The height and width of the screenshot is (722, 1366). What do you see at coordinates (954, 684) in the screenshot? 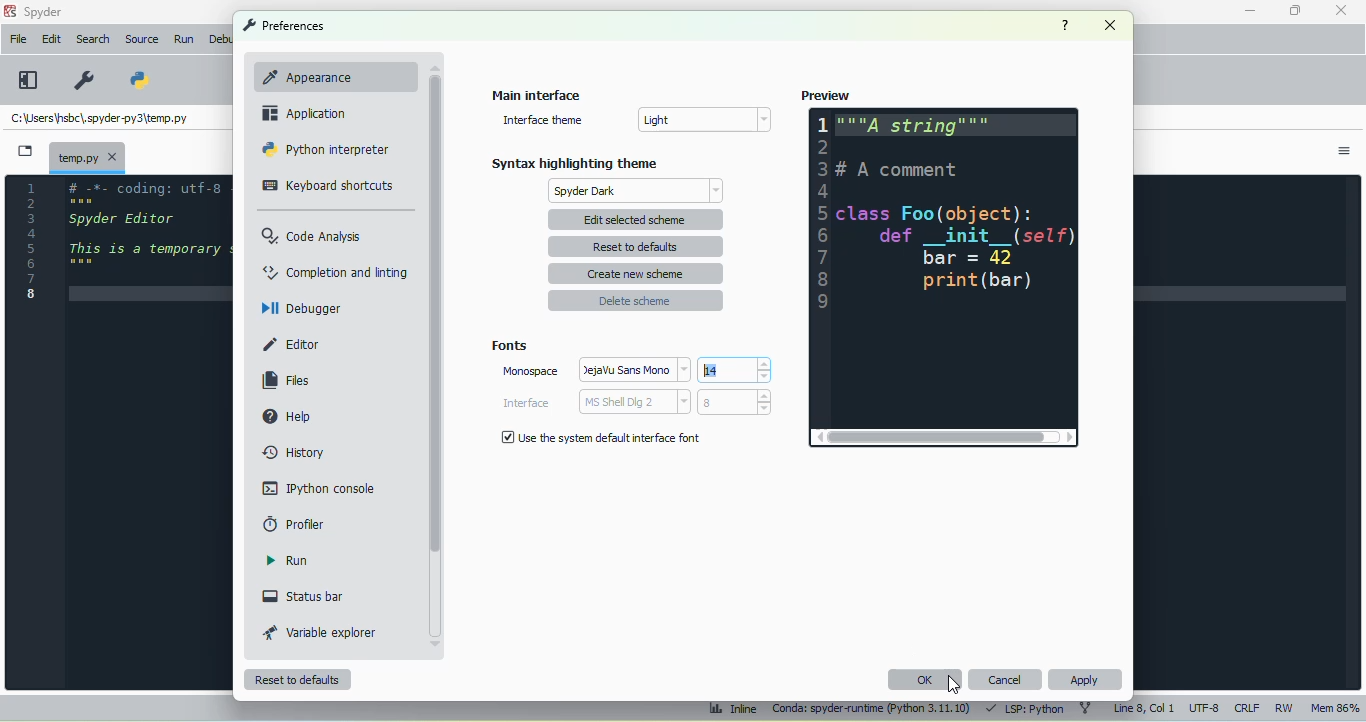
I see `cursor` at bounding box center [954, 684].